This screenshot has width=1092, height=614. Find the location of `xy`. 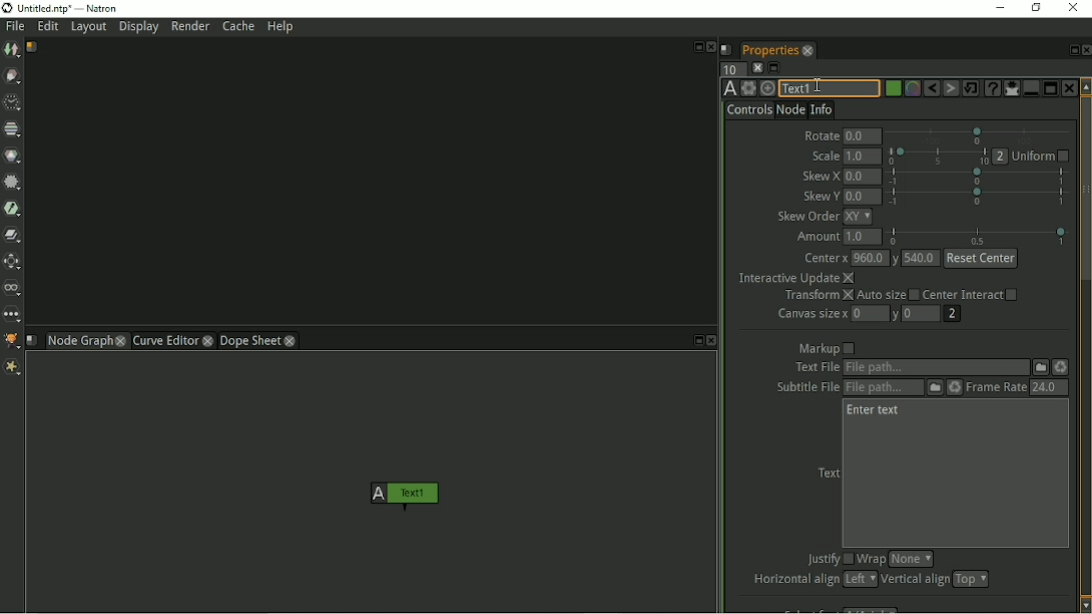

xy is located at coordinates (858, 217).